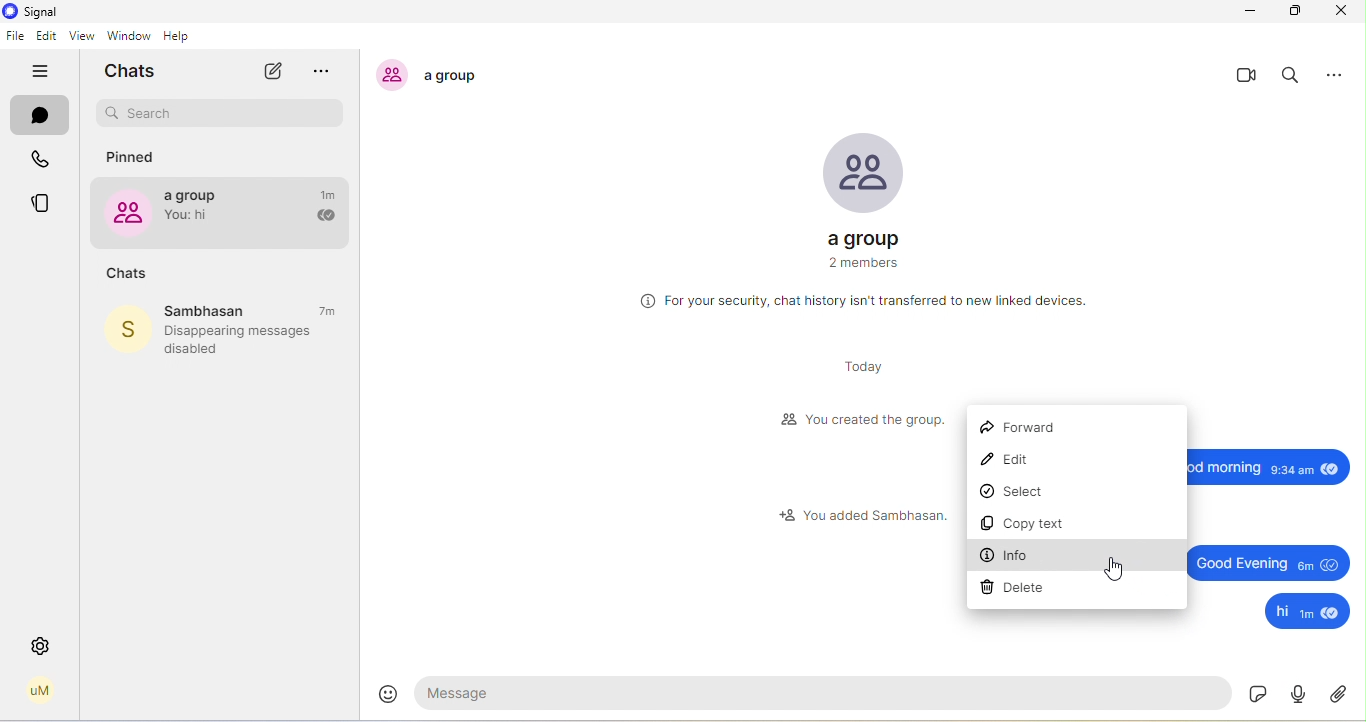  What do you see at coordinates (47, 37) in the screenshot?
I see `edit` at bounding box center [47, 37].